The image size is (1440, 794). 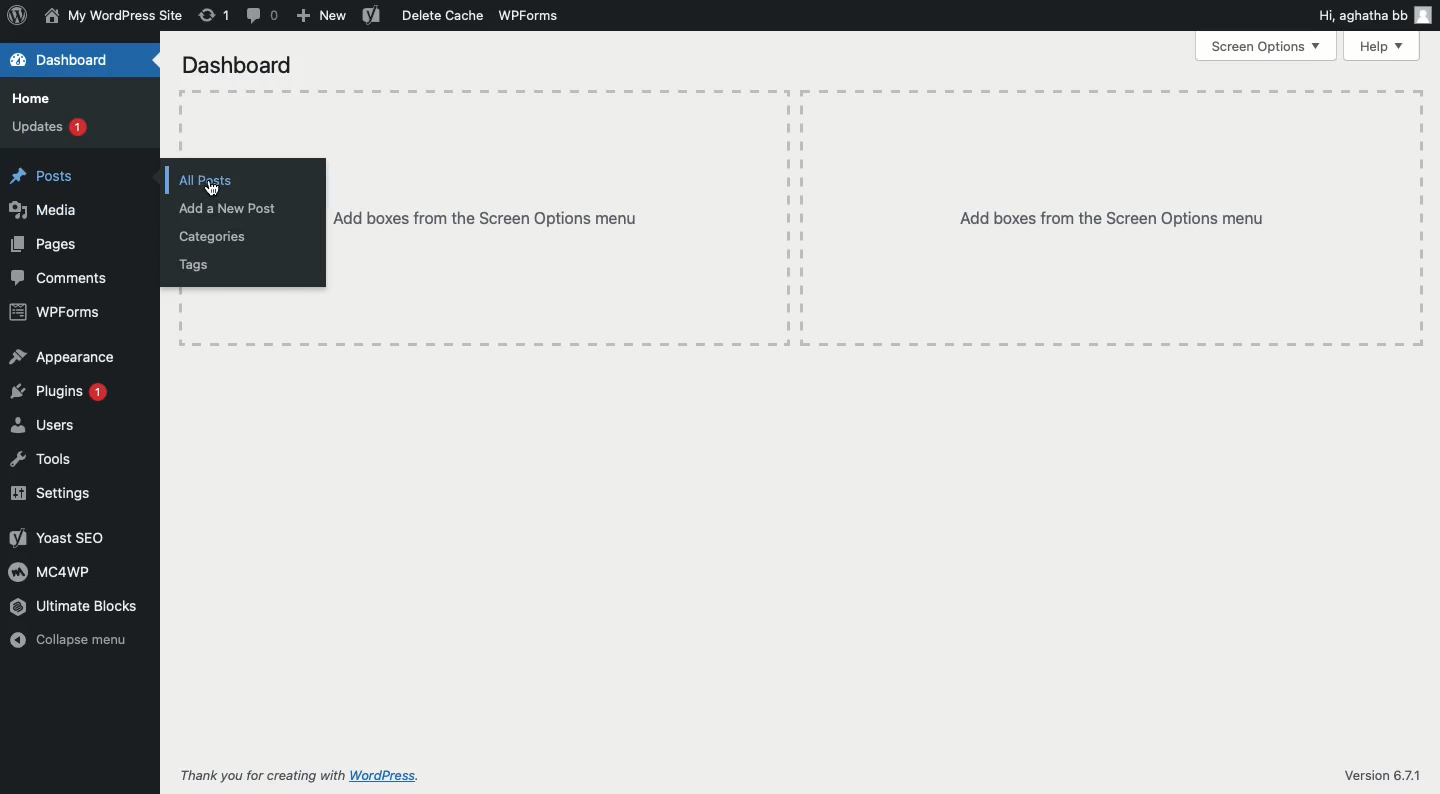 I want to click on Screen Options, so click(x=1269, y=48).